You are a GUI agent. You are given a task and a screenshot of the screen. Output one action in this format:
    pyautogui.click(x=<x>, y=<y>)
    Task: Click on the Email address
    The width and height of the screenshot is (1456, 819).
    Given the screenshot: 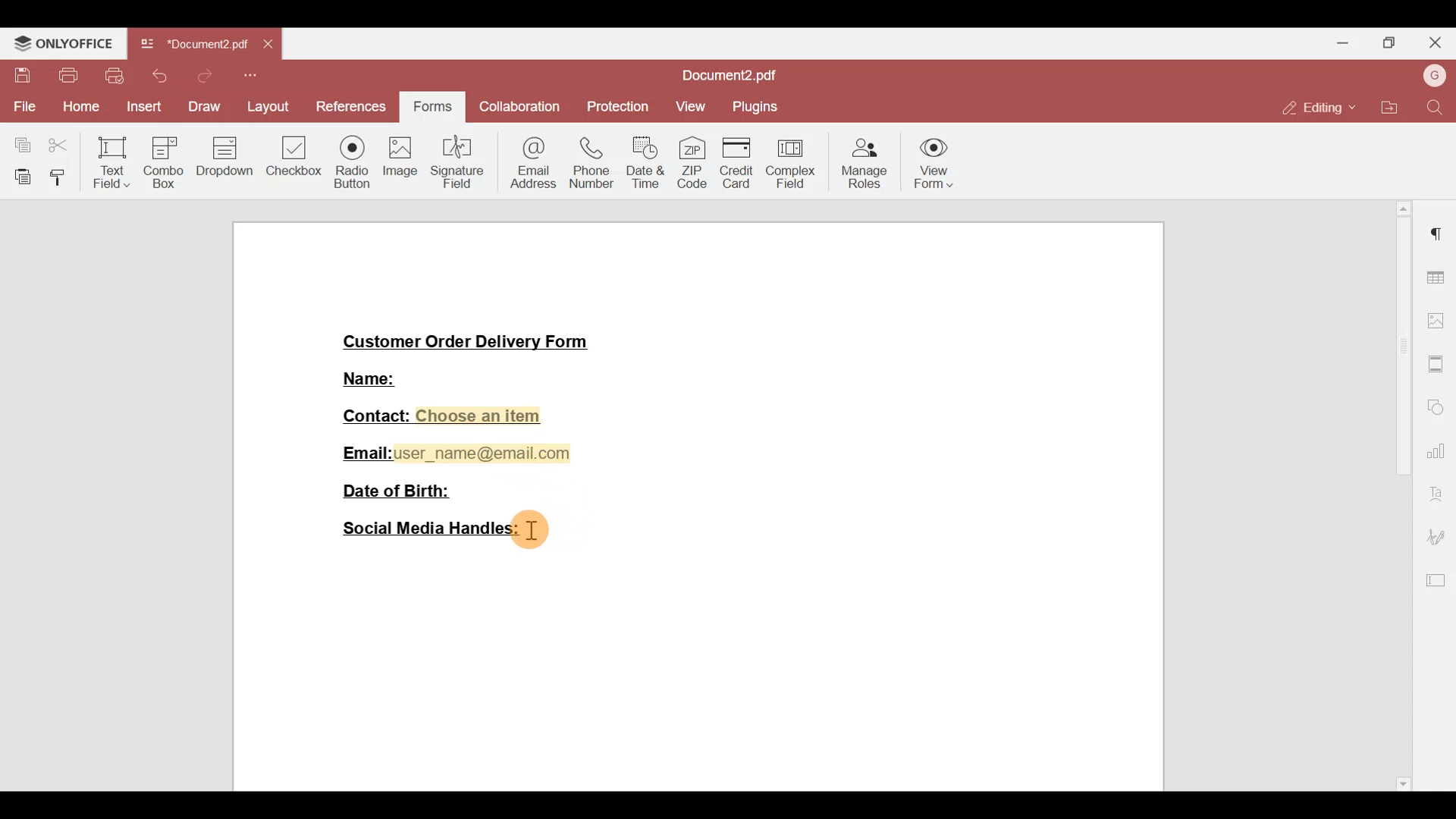 What is the action you would take?
    pyautogui.click(x=527, y=165)
    